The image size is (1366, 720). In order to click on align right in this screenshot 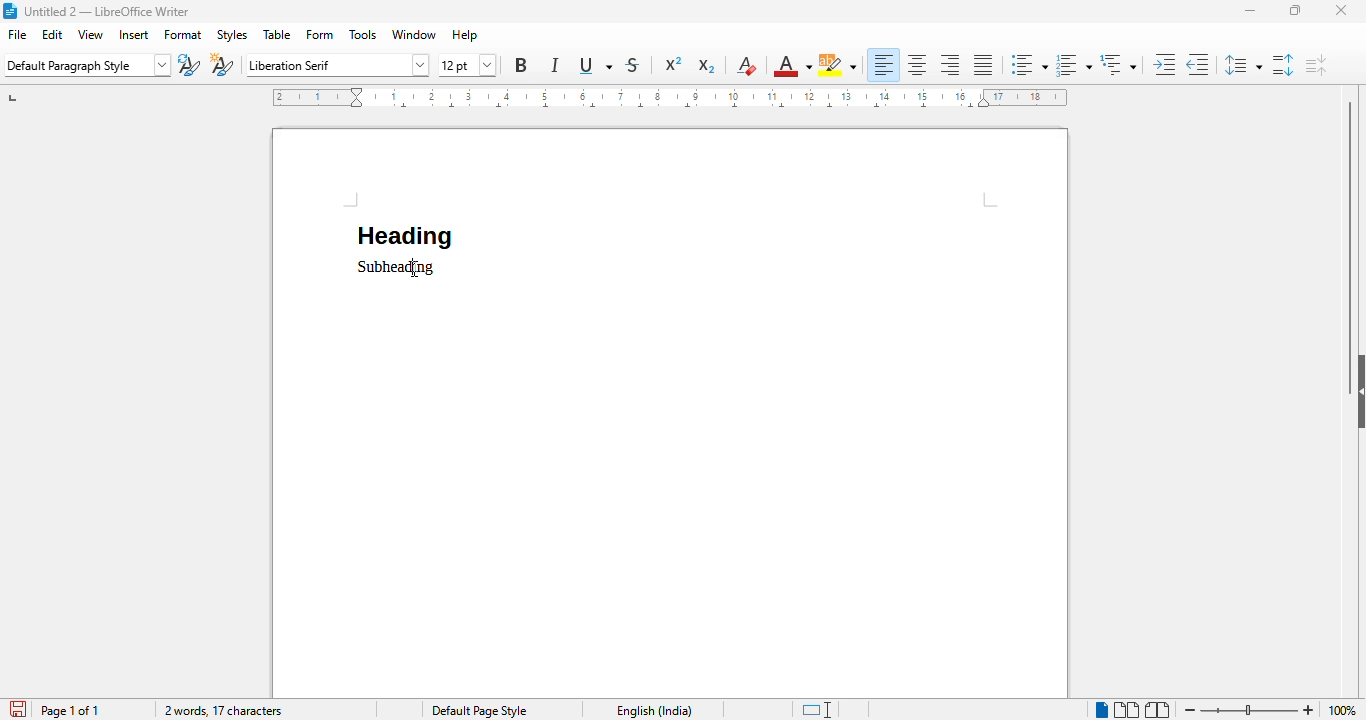, I will do `click(949, 66)`.